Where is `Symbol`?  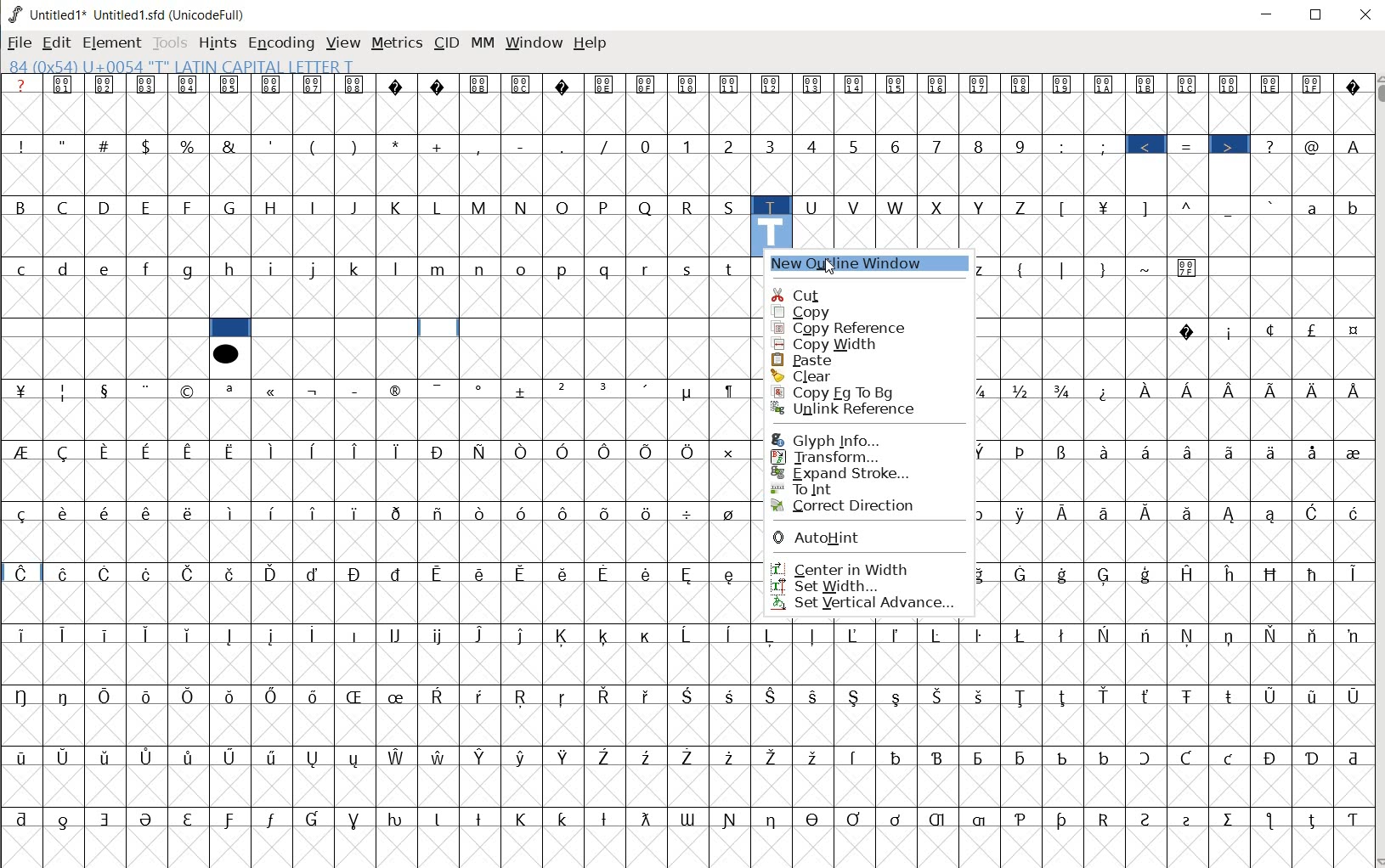 Symbol is located at coordinates (1274, 635).